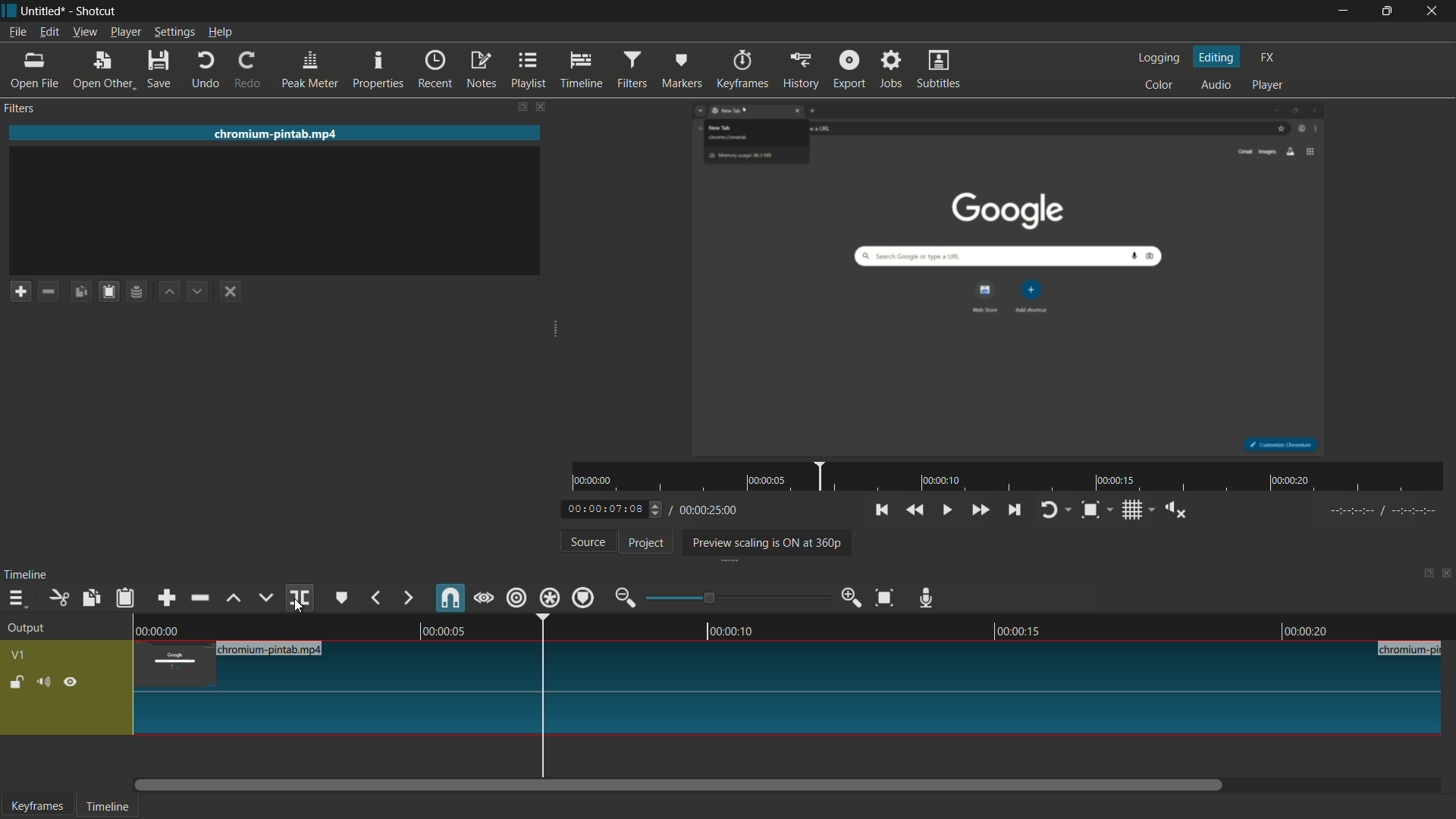 This screenshot has height=819, width=1456. What do you see at coordinates (800, 69) in the screenshot?
I see `history` at bounding box center [800, 69].